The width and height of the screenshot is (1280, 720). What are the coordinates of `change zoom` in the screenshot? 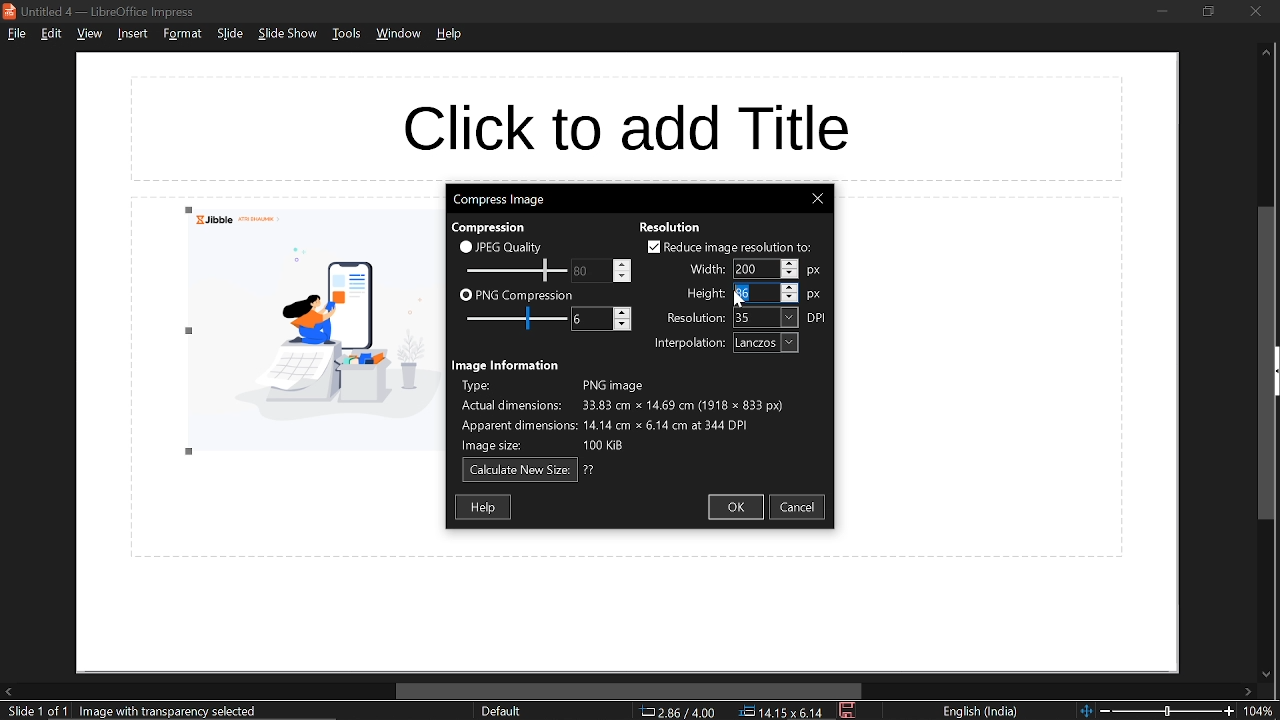 It's located at (1157, 711).